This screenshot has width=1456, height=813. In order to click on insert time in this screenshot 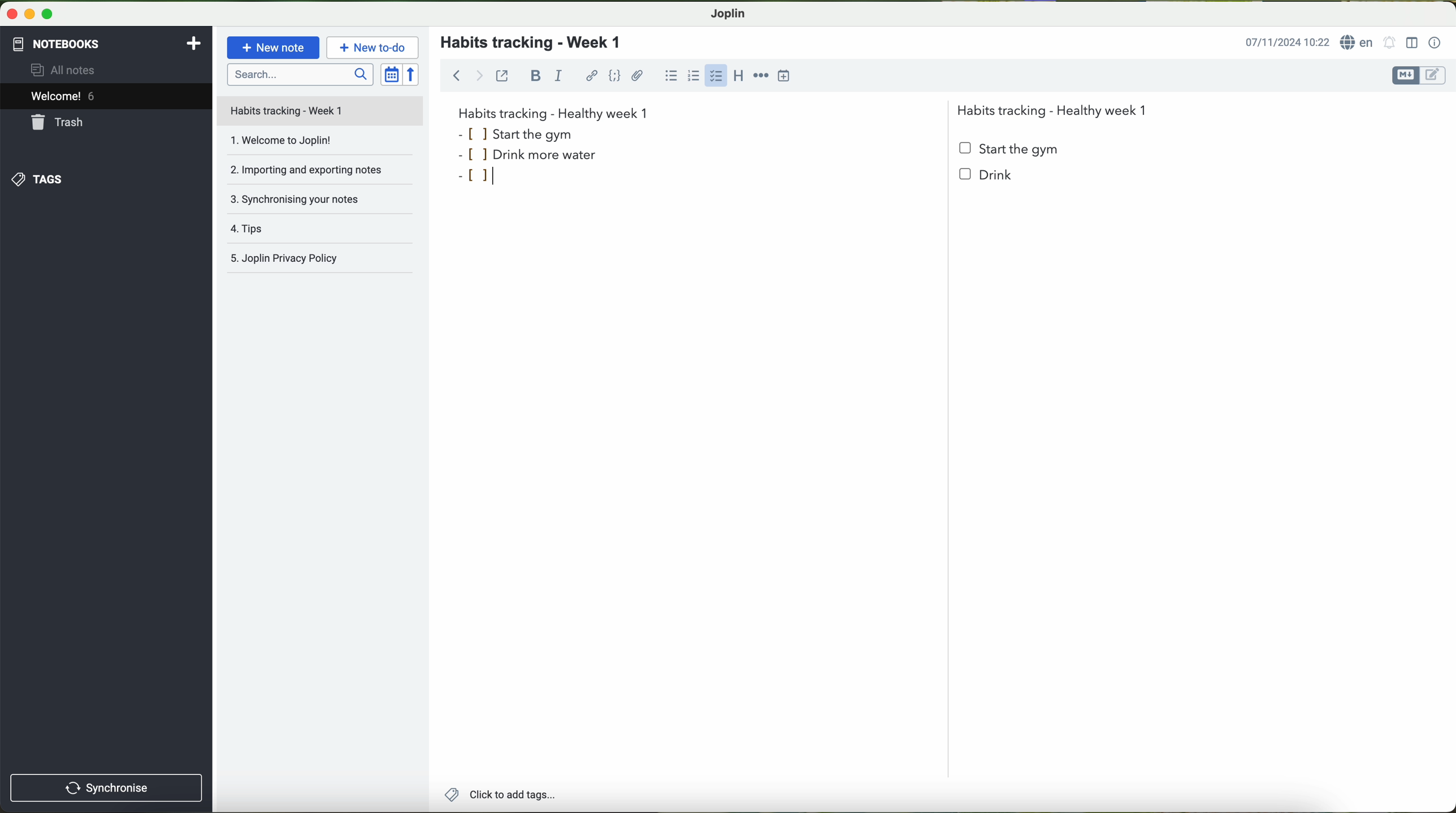, I will do `click(784, 76)`.